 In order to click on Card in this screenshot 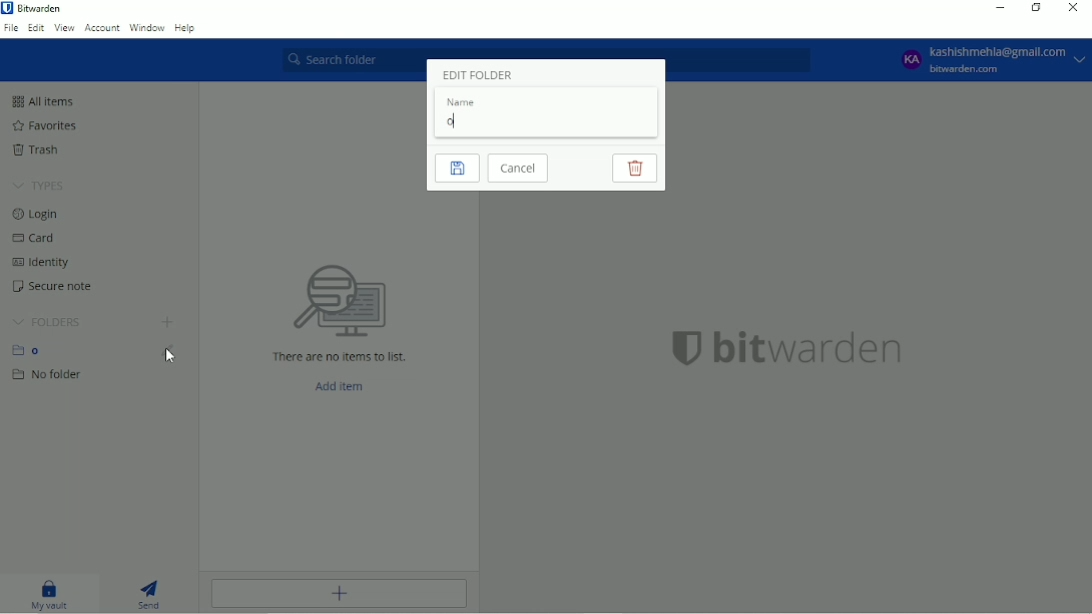, I will do `click(37, 238)`.